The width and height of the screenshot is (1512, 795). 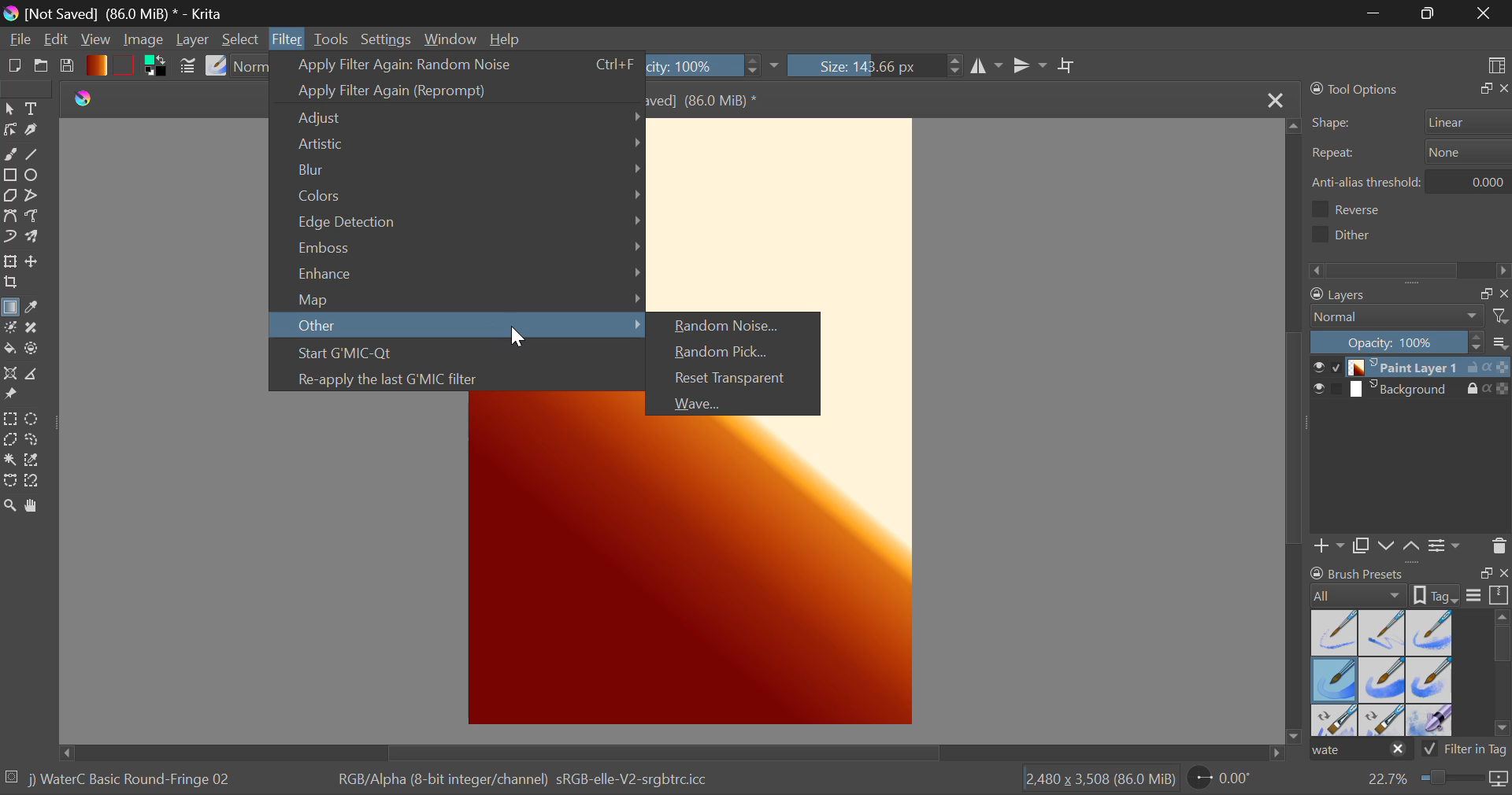 What do you see at coordinates (1435, 782) in the screenshot?
I see `Zoom 22.7%` at bounding box center [1435, 782].